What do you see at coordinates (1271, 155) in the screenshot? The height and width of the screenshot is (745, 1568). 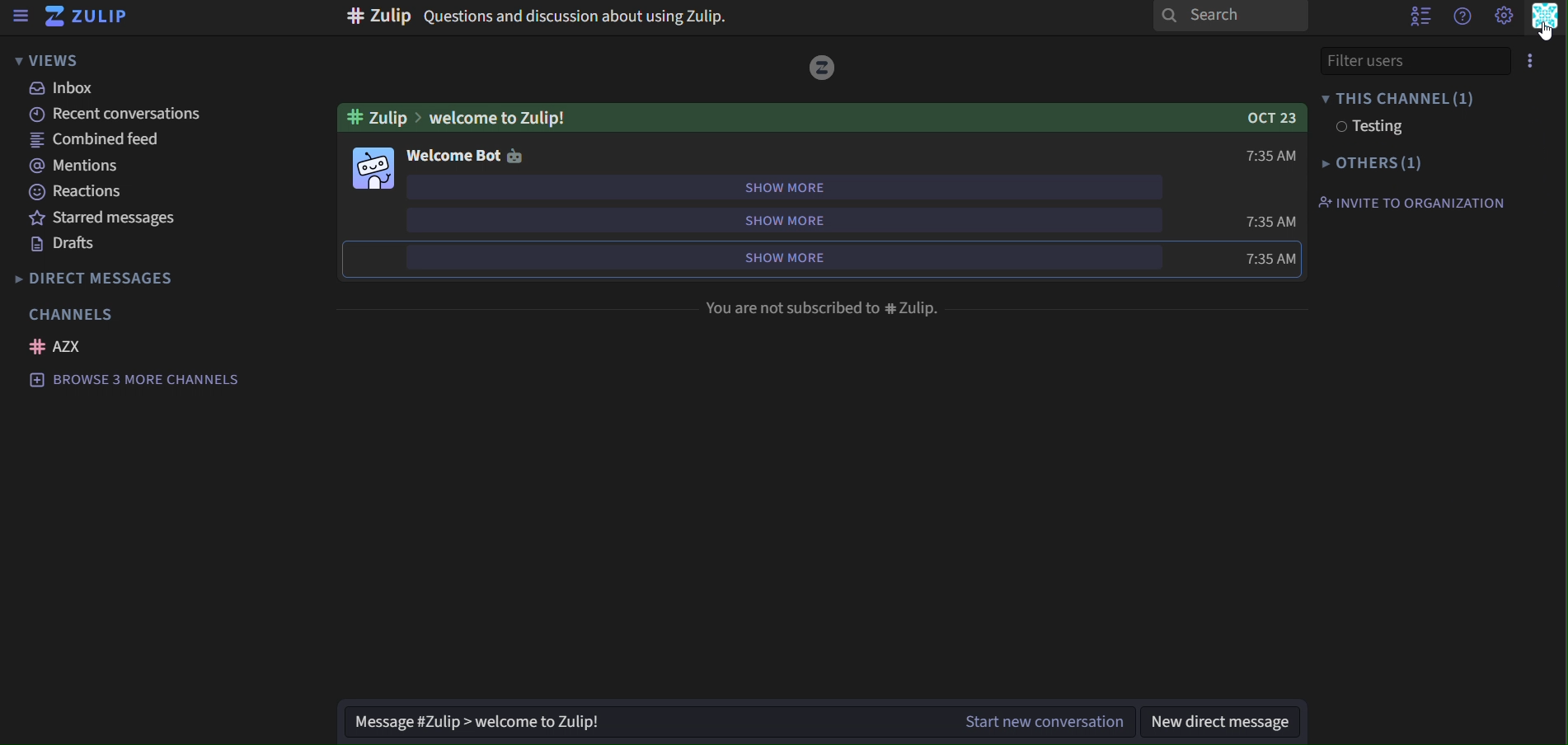 I see `7:35AM` at bounding box center [1271, 155].